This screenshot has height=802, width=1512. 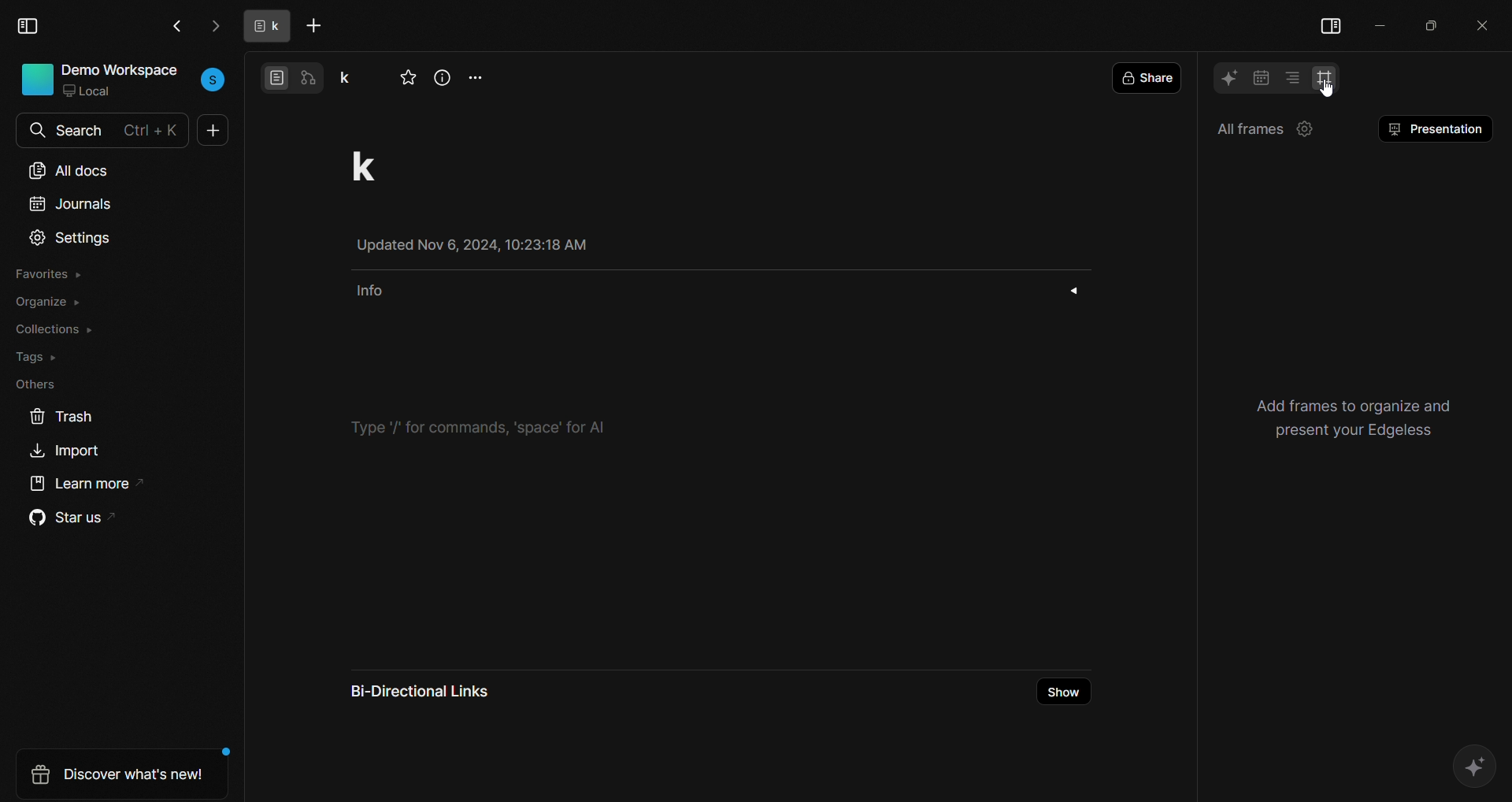 I want to click on go next, so click(x=213, y=26).